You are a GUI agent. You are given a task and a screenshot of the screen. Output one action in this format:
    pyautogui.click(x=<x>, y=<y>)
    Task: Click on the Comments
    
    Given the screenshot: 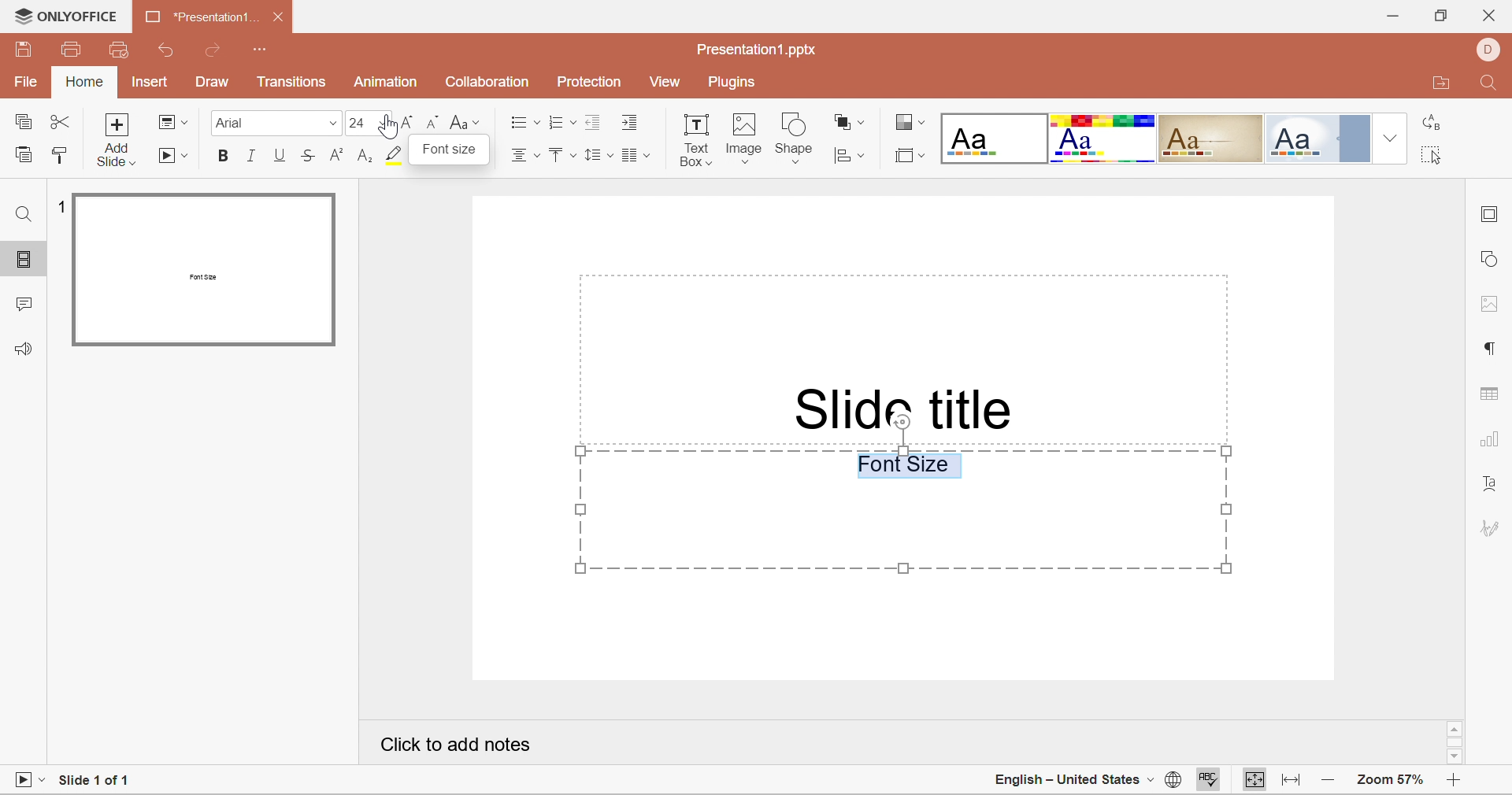 What is the action you would take?
    pyautogui.click(x=21, y=308)
    